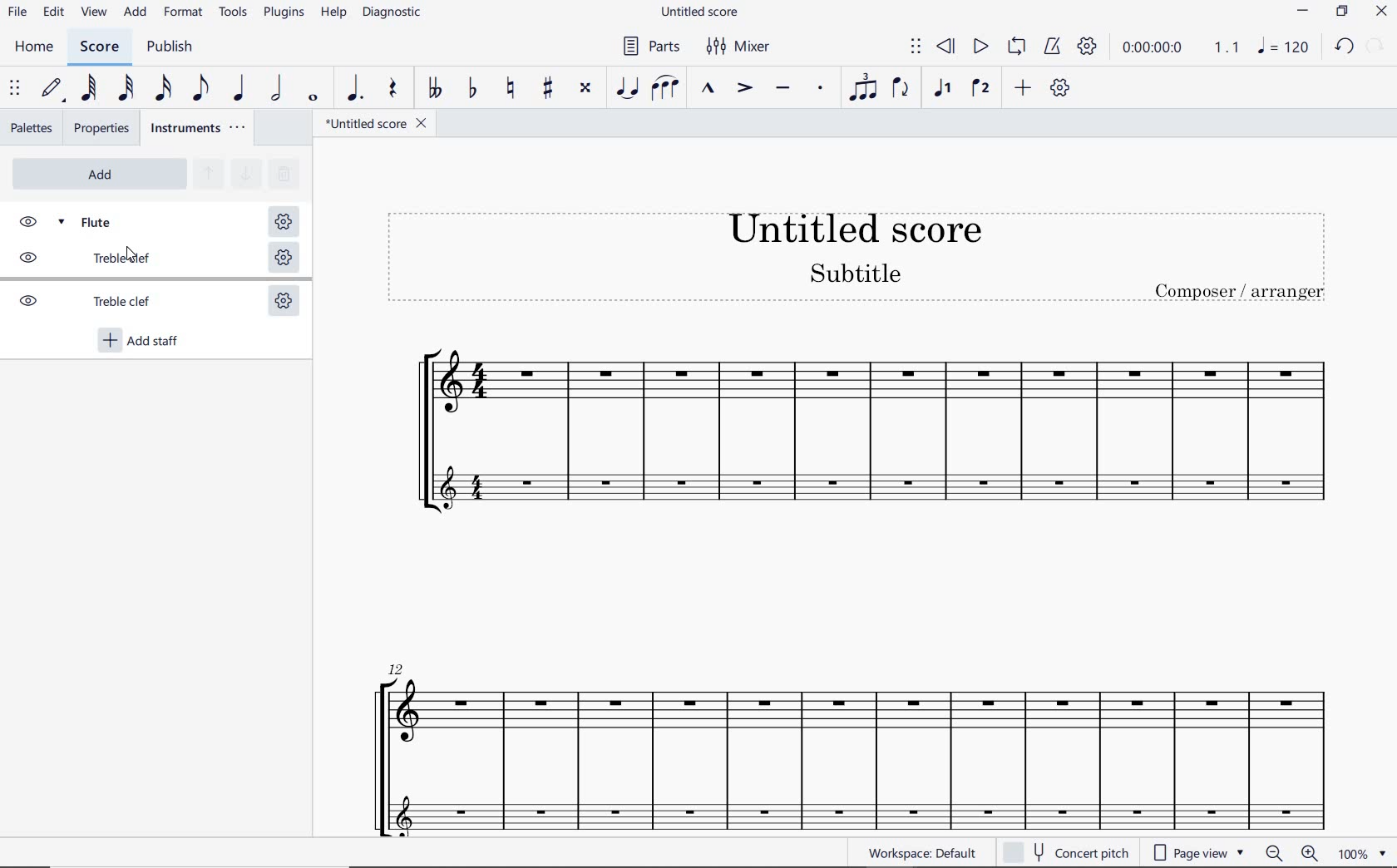 Image resolution: width=1397 pixels, height=868 pixels. I want to click on minimize, so click(1302, 11).